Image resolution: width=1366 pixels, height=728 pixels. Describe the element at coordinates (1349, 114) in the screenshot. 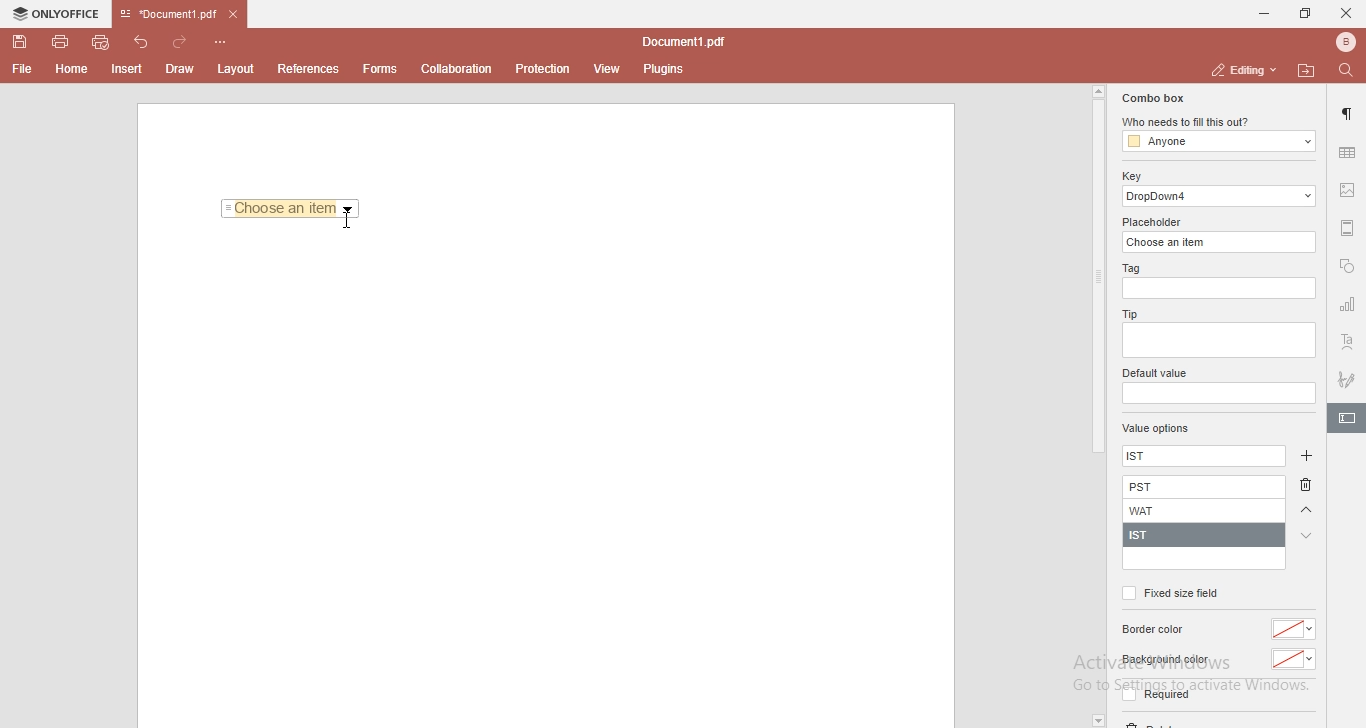

I see `paragraph` at that location.